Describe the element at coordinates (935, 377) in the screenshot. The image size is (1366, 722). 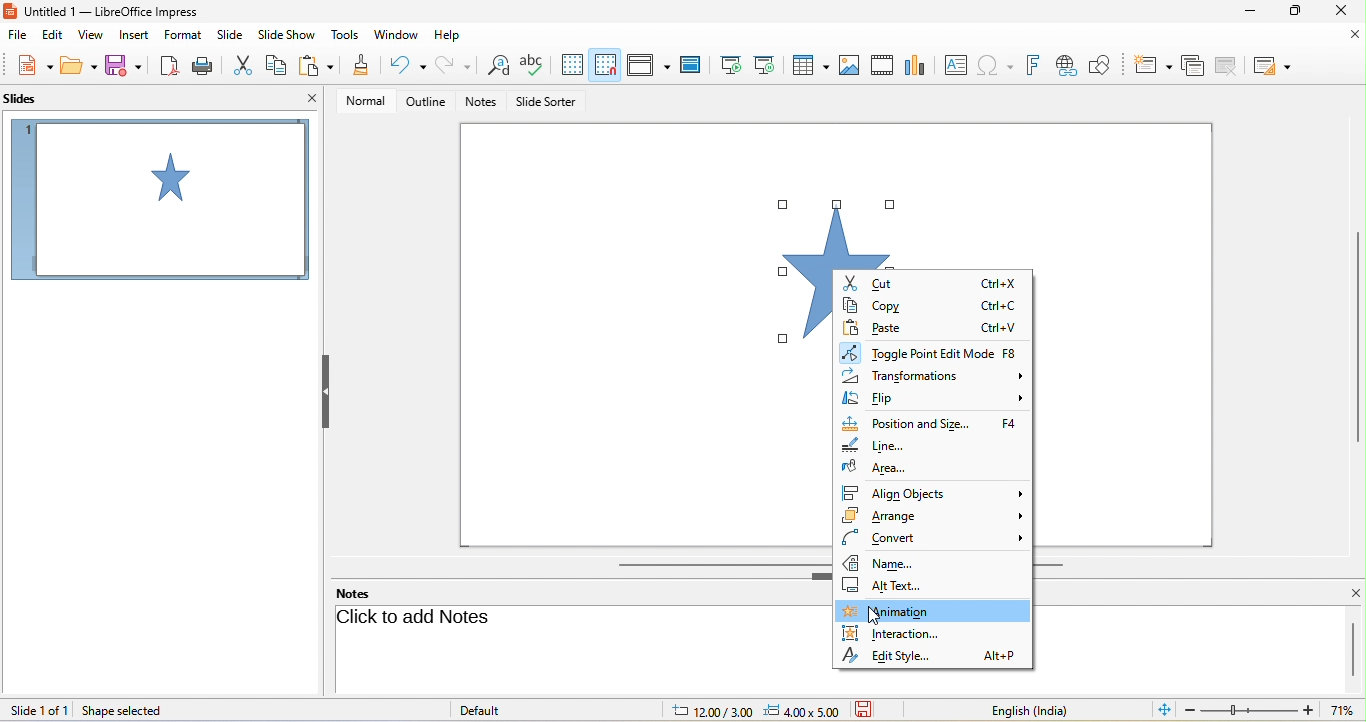
I see `transformations` at that location.